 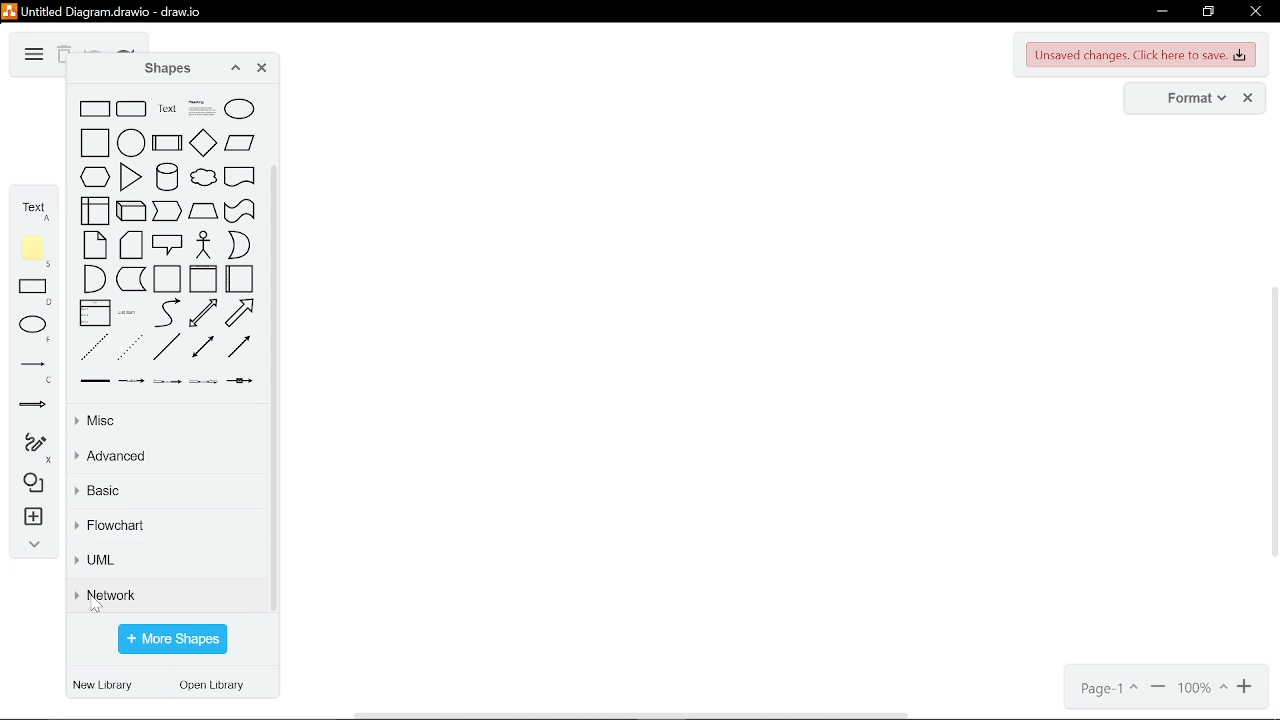 I want to click on lines, so click(x=33, y=371).